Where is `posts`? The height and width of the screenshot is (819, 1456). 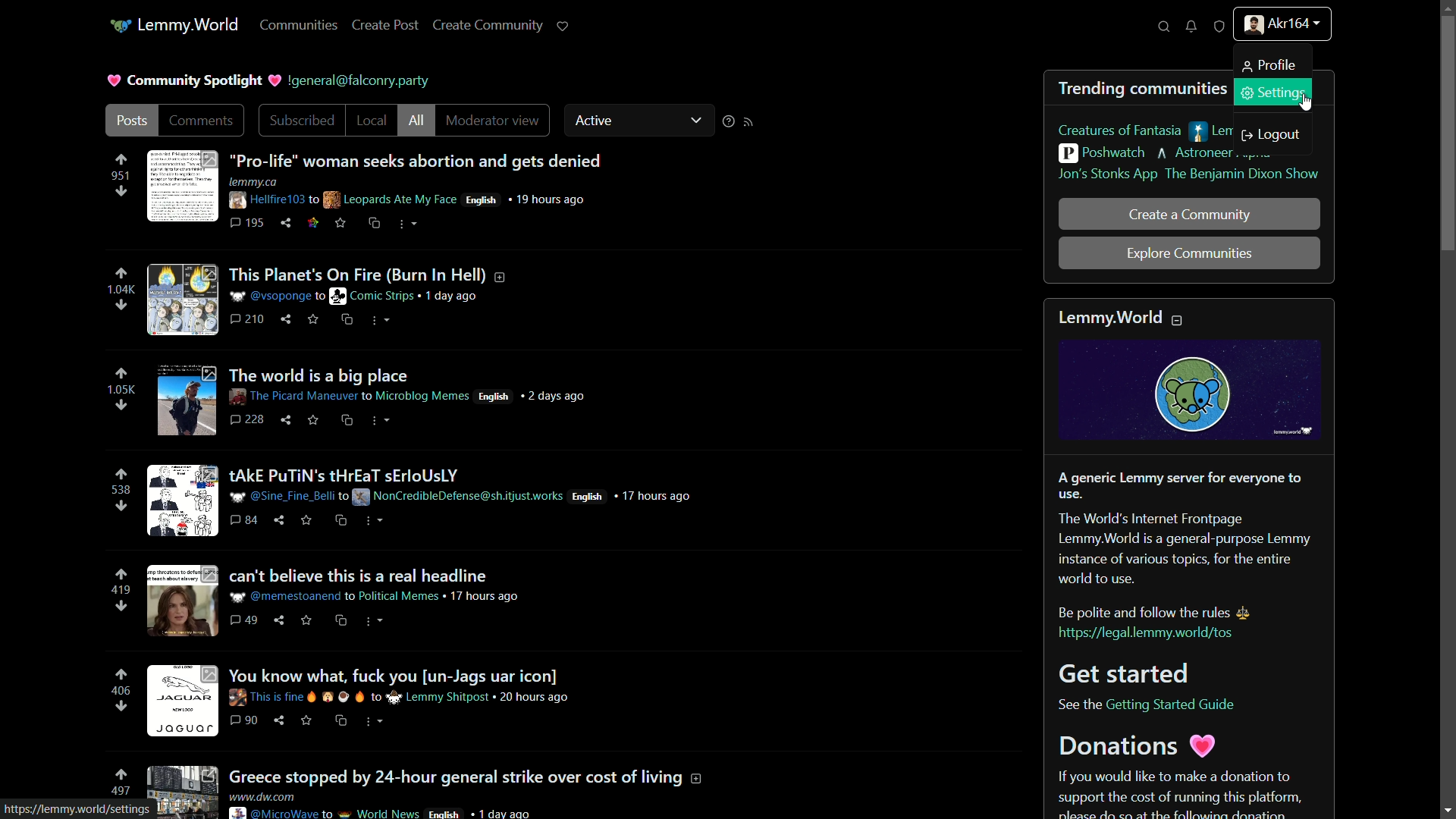
posts is located at coordinates (130, 121).